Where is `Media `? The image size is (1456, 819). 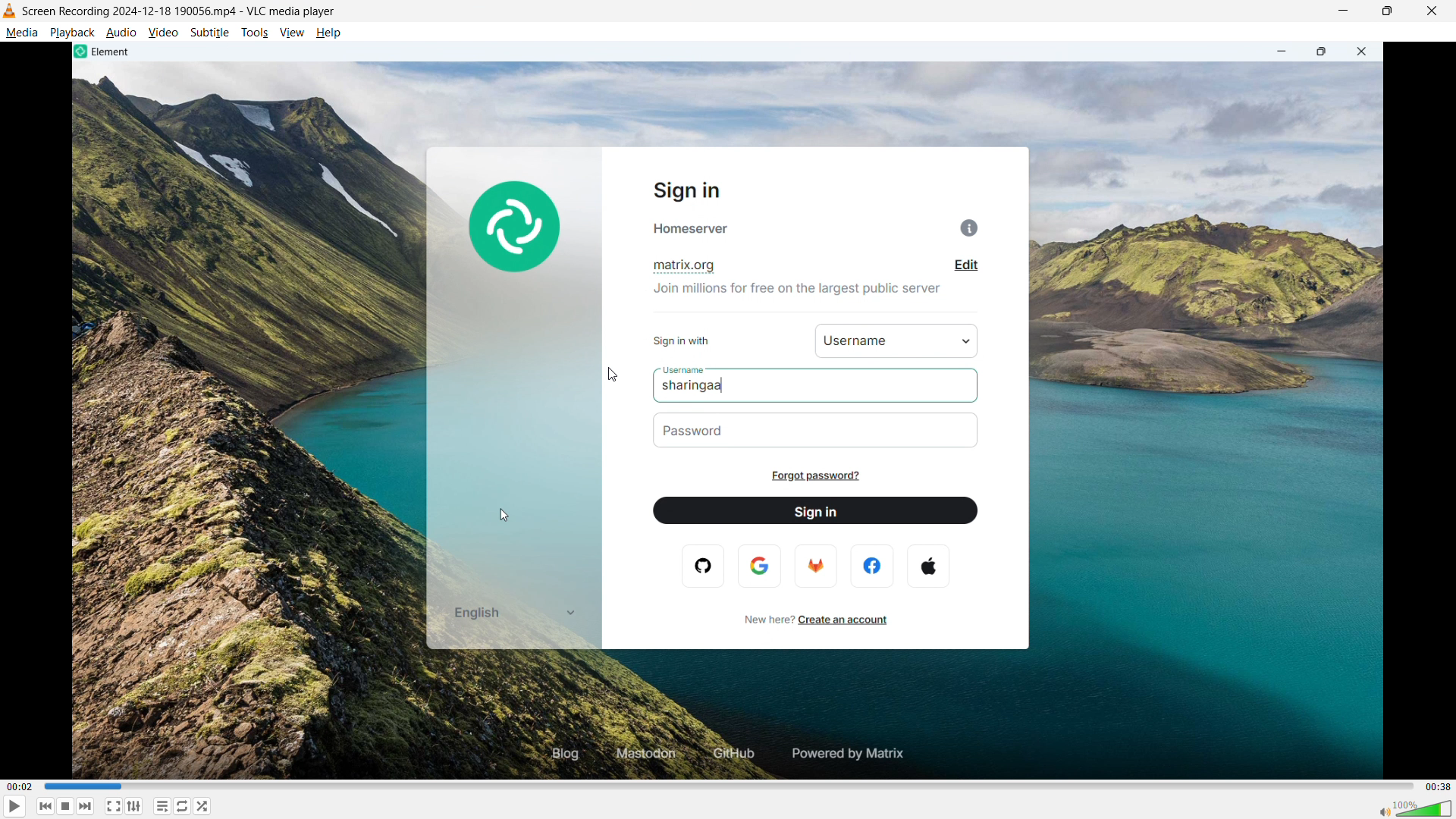 Media  is located at coordinates (21, 33).